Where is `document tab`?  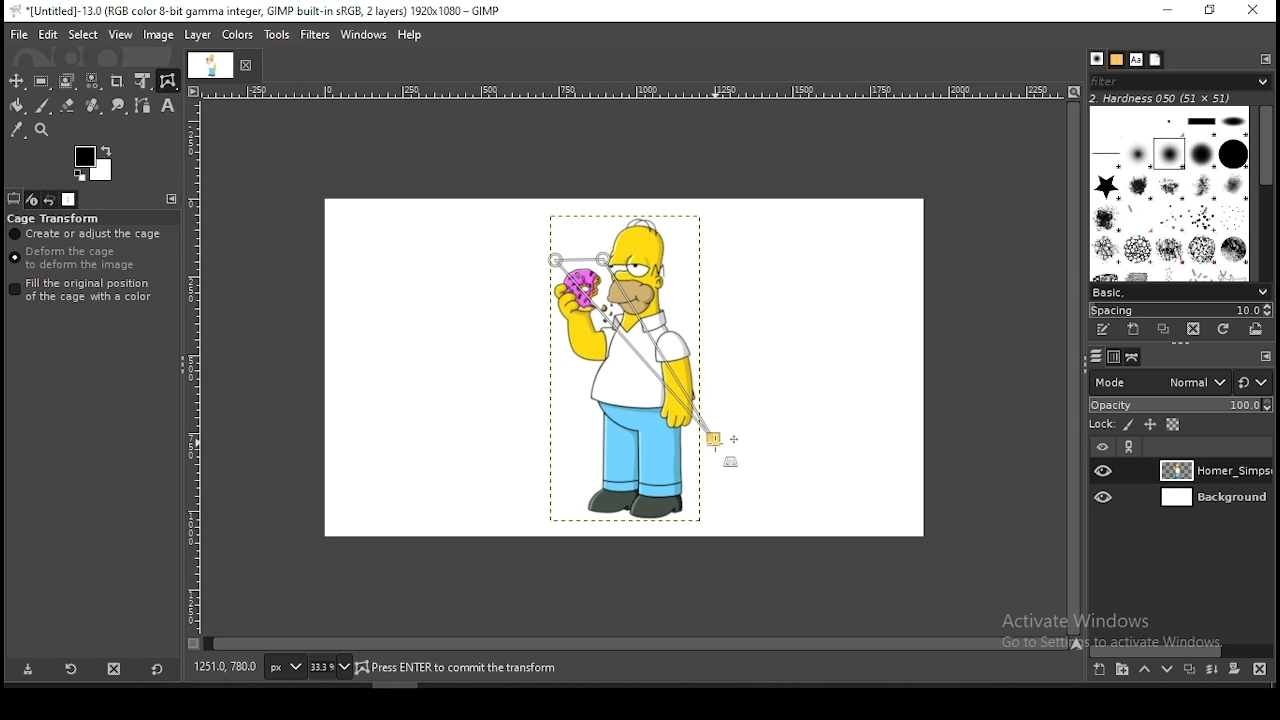
document tab is located at coordinates (212, 67).